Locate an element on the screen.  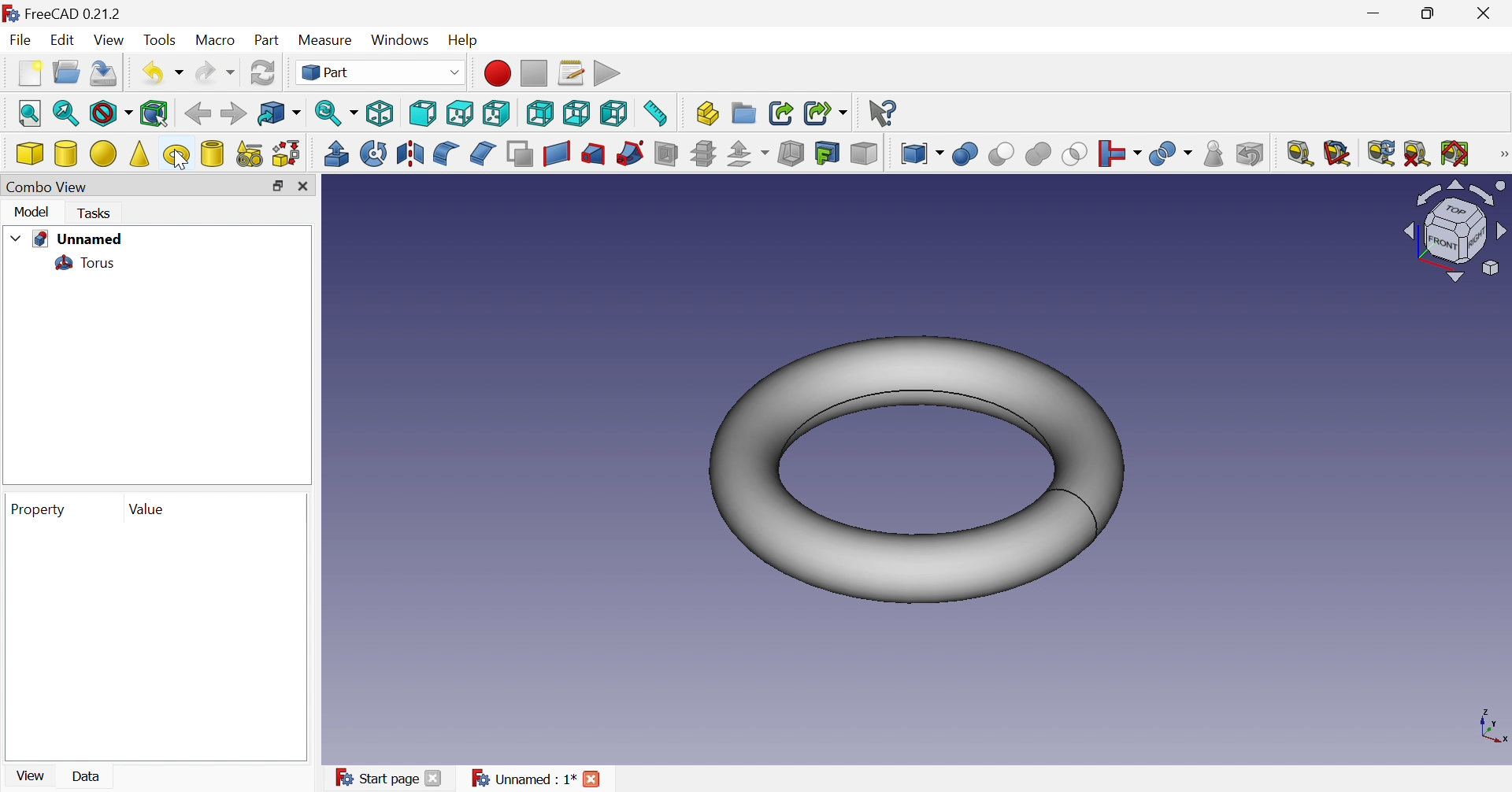
View is located at coordinates (29, 777).